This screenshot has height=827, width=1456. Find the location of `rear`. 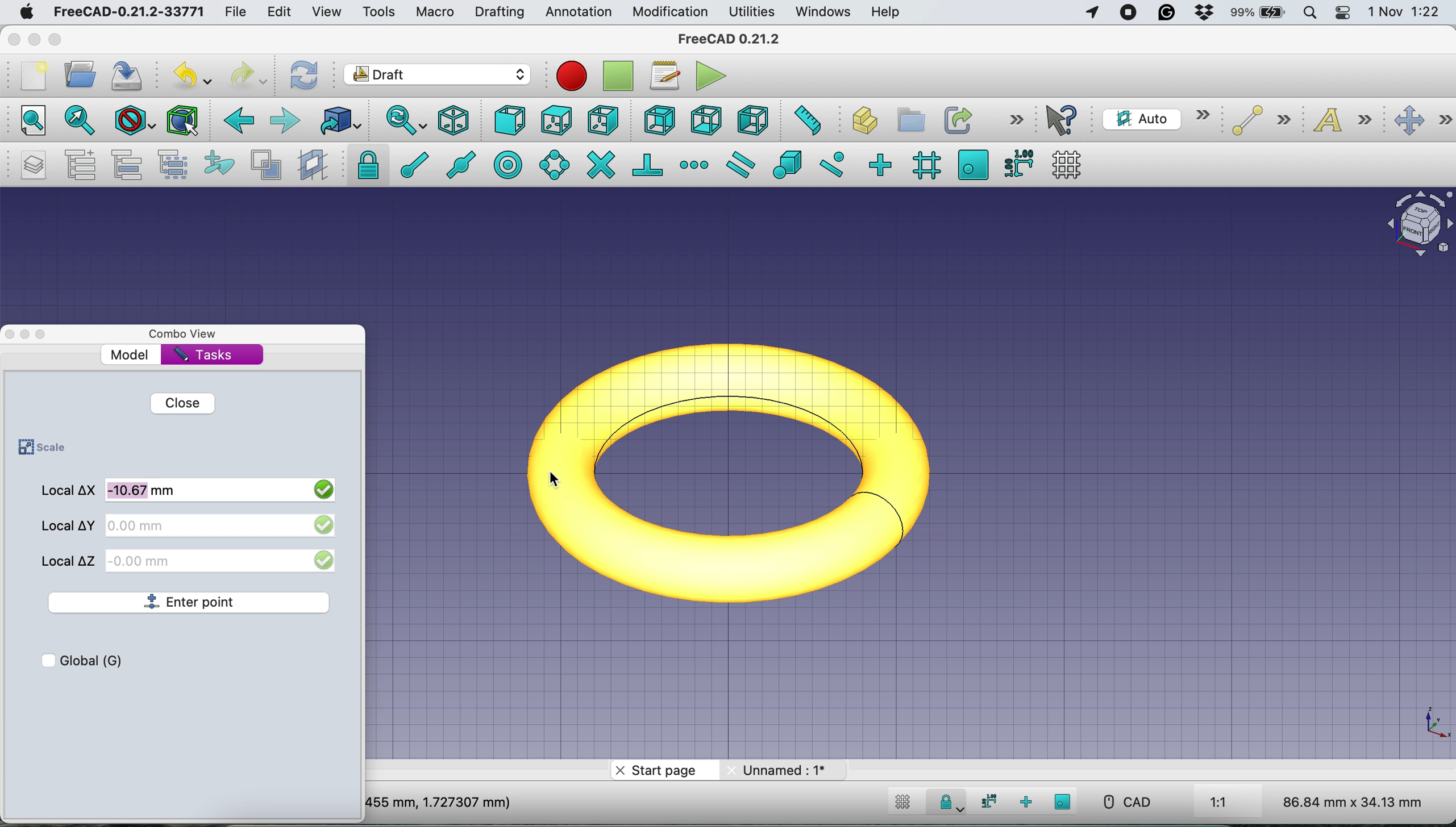

rear is located at coordinates (658, 122).